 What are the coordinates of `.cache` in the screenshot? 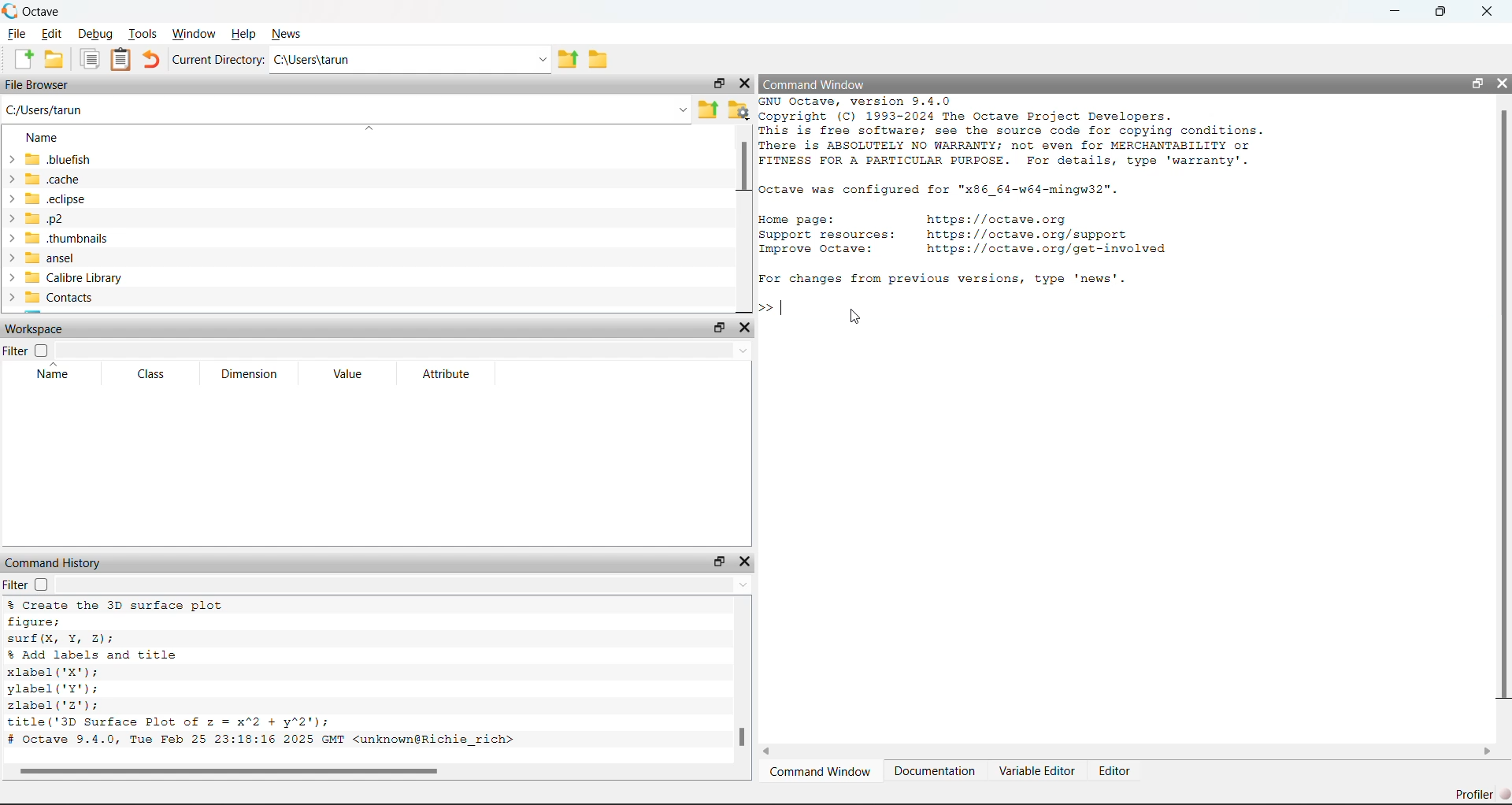 It's located at (44, 180).